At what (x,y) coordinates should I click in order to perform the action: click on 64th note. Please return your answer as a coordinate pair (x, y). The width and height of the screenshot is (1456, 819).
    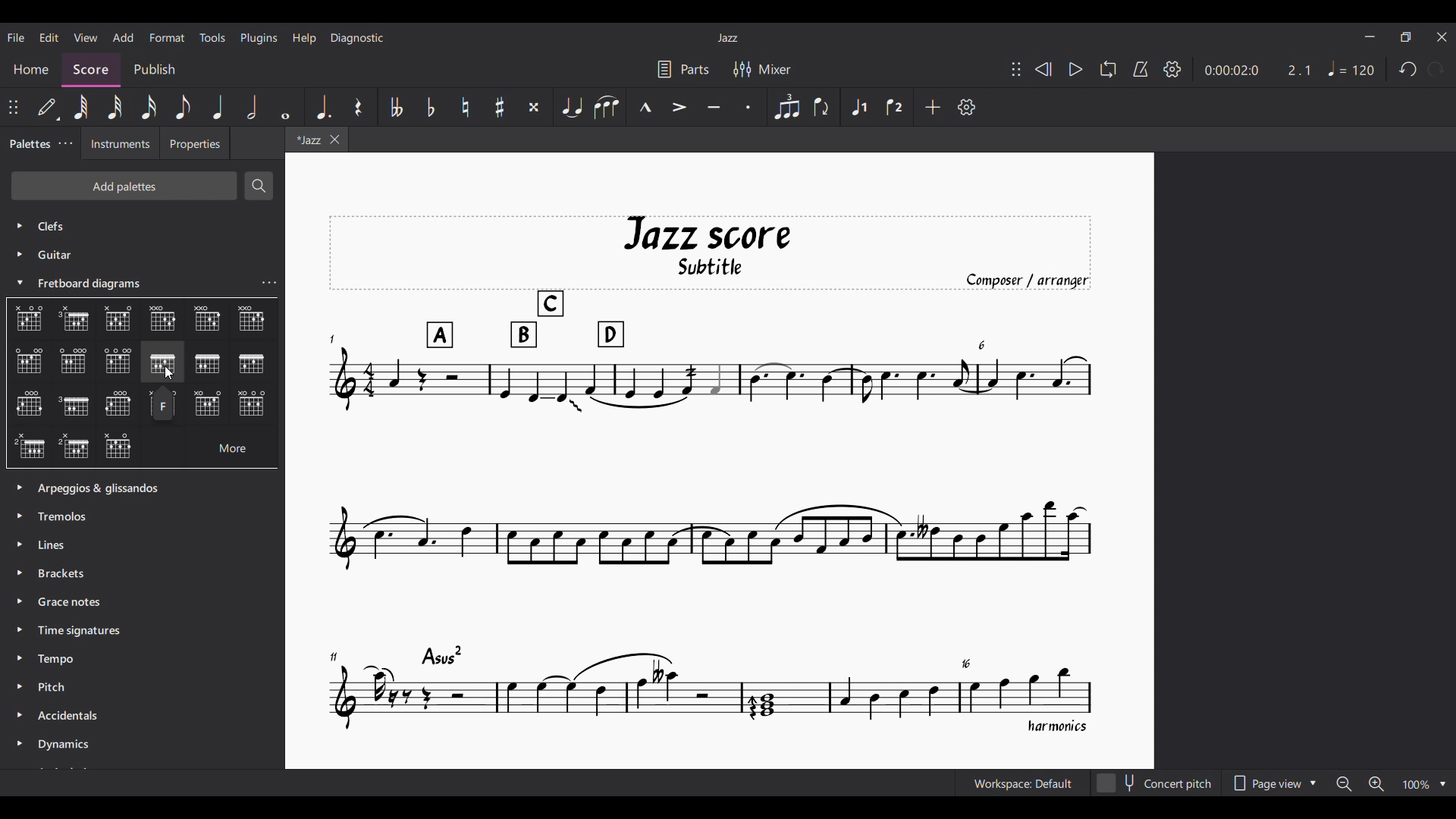
    Looking at the image, I should click on (80, 106).